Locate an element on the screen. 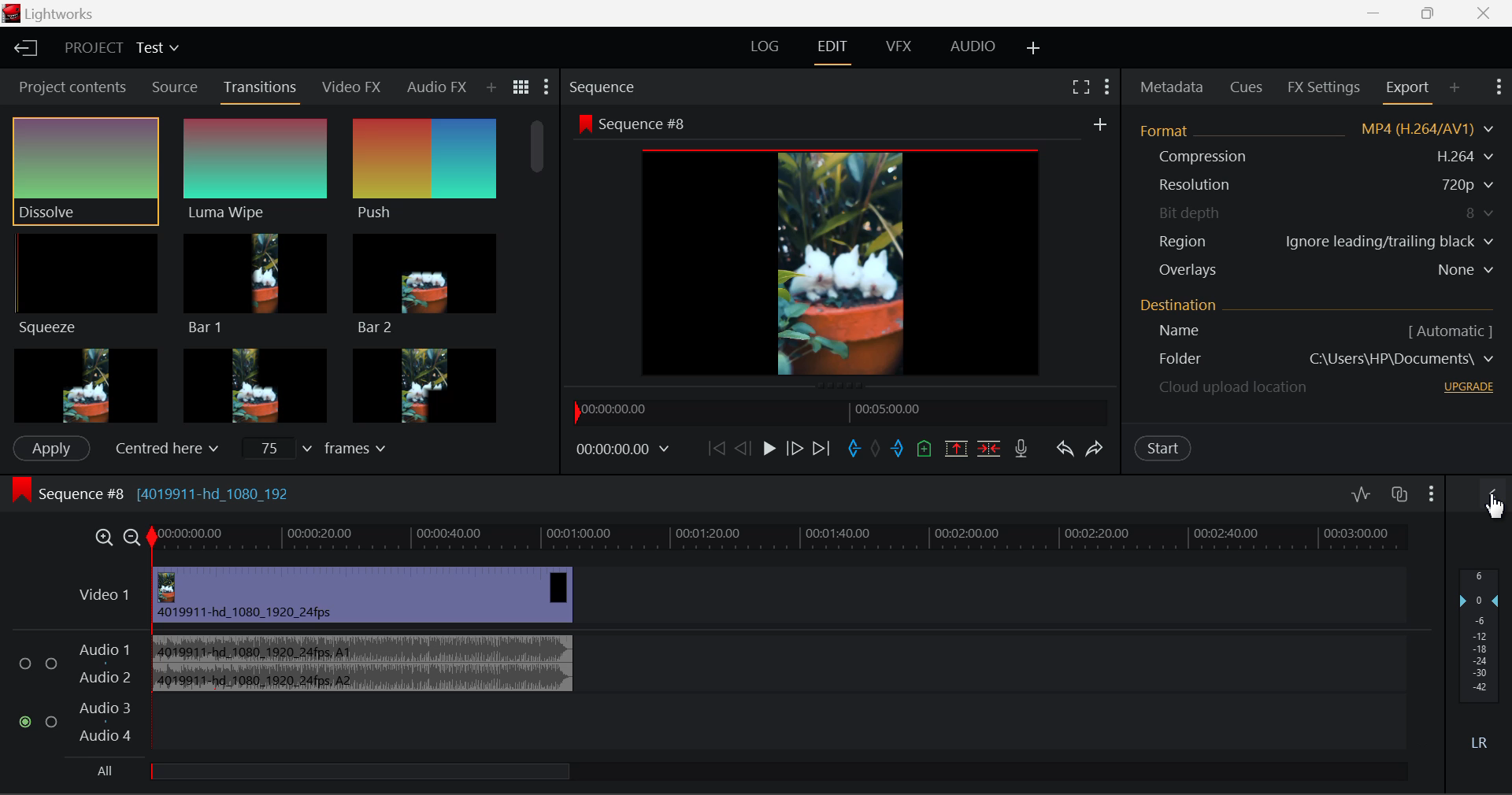  To Start is located at coordinates (714, 448).